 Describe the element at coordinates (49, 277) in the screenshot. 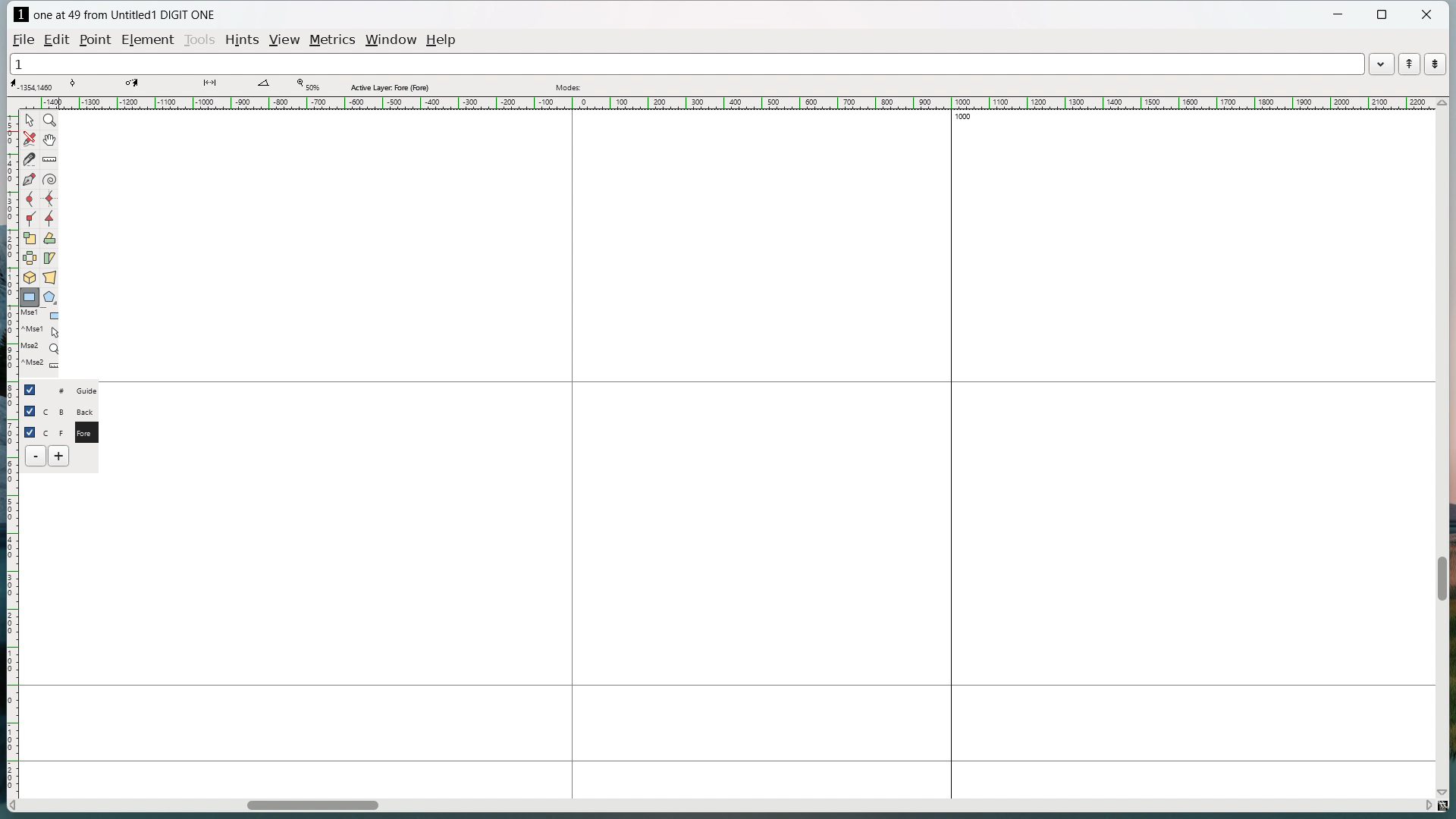

I see `perspective transformation` at that location.